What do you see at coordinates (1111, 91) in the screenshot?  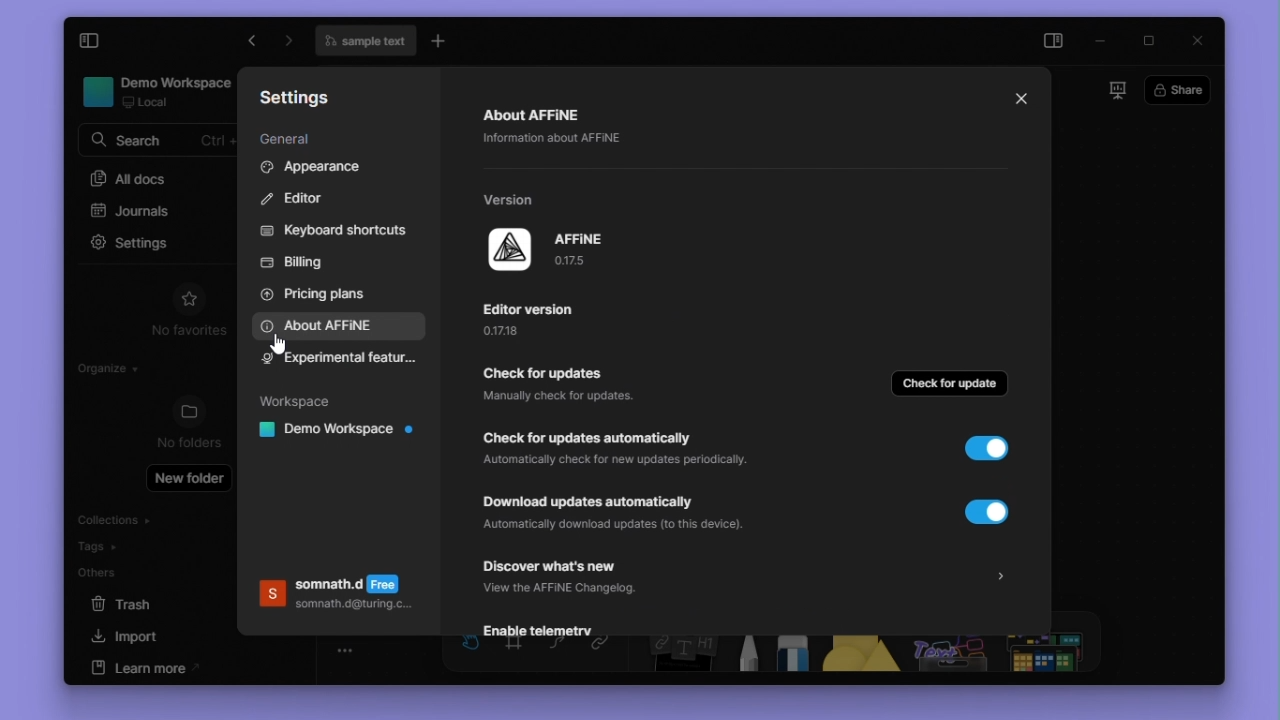 I see `slideshow` at bounding box center [1111, 91].